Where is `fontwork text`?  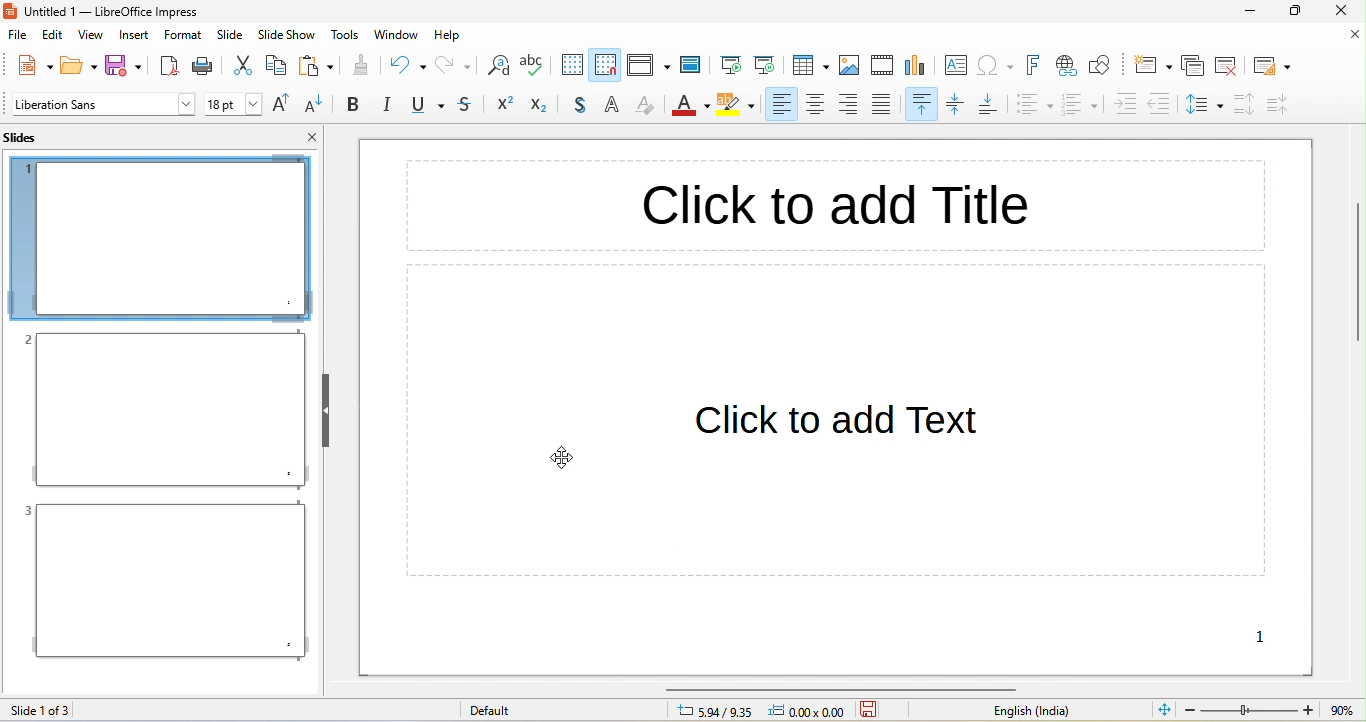 fontwork text is located at coordinates (1037, 65).